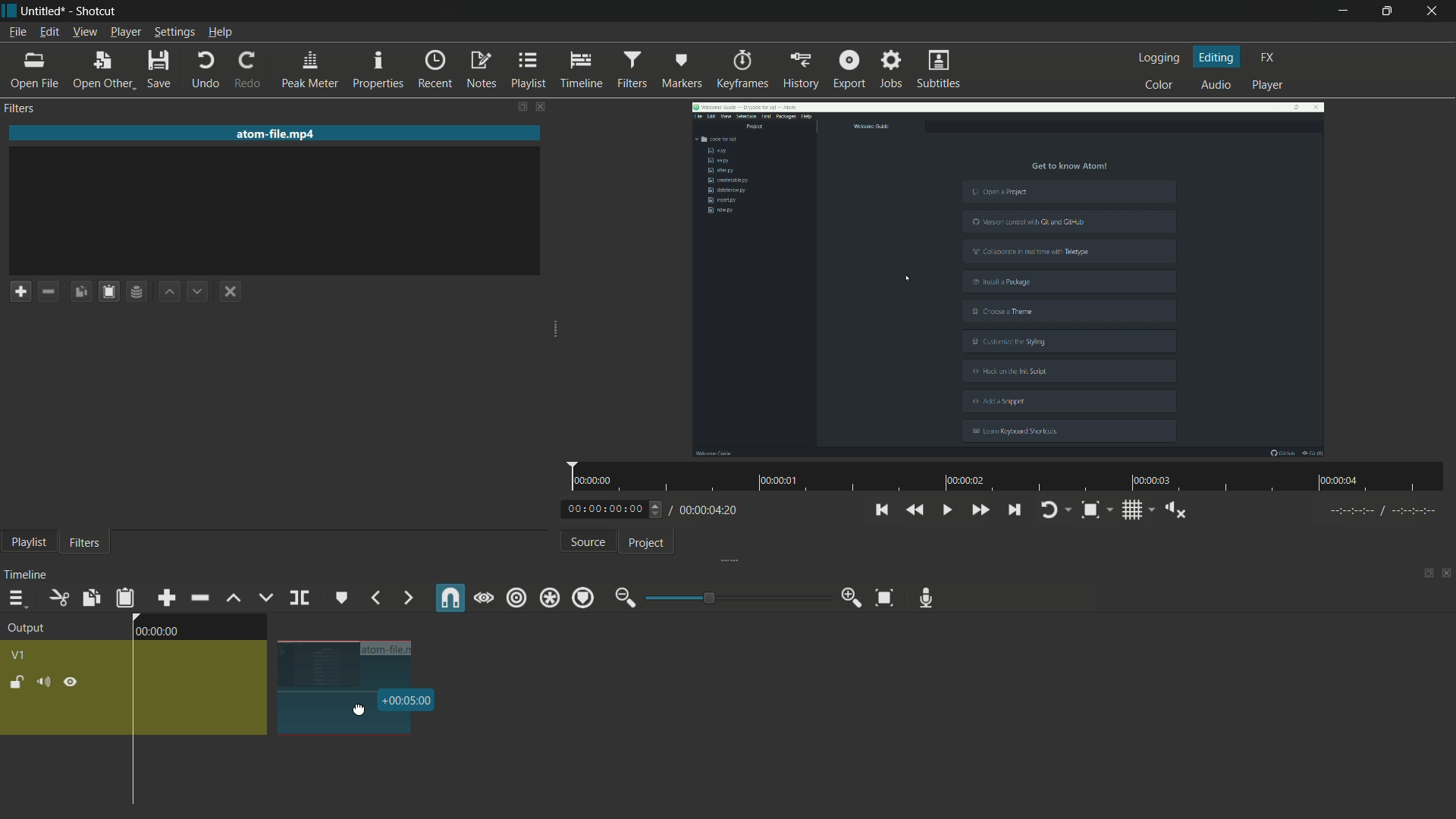  Describe the element at coordinates (583, 598) in the screenshot. I see `ripple marker` at that location.